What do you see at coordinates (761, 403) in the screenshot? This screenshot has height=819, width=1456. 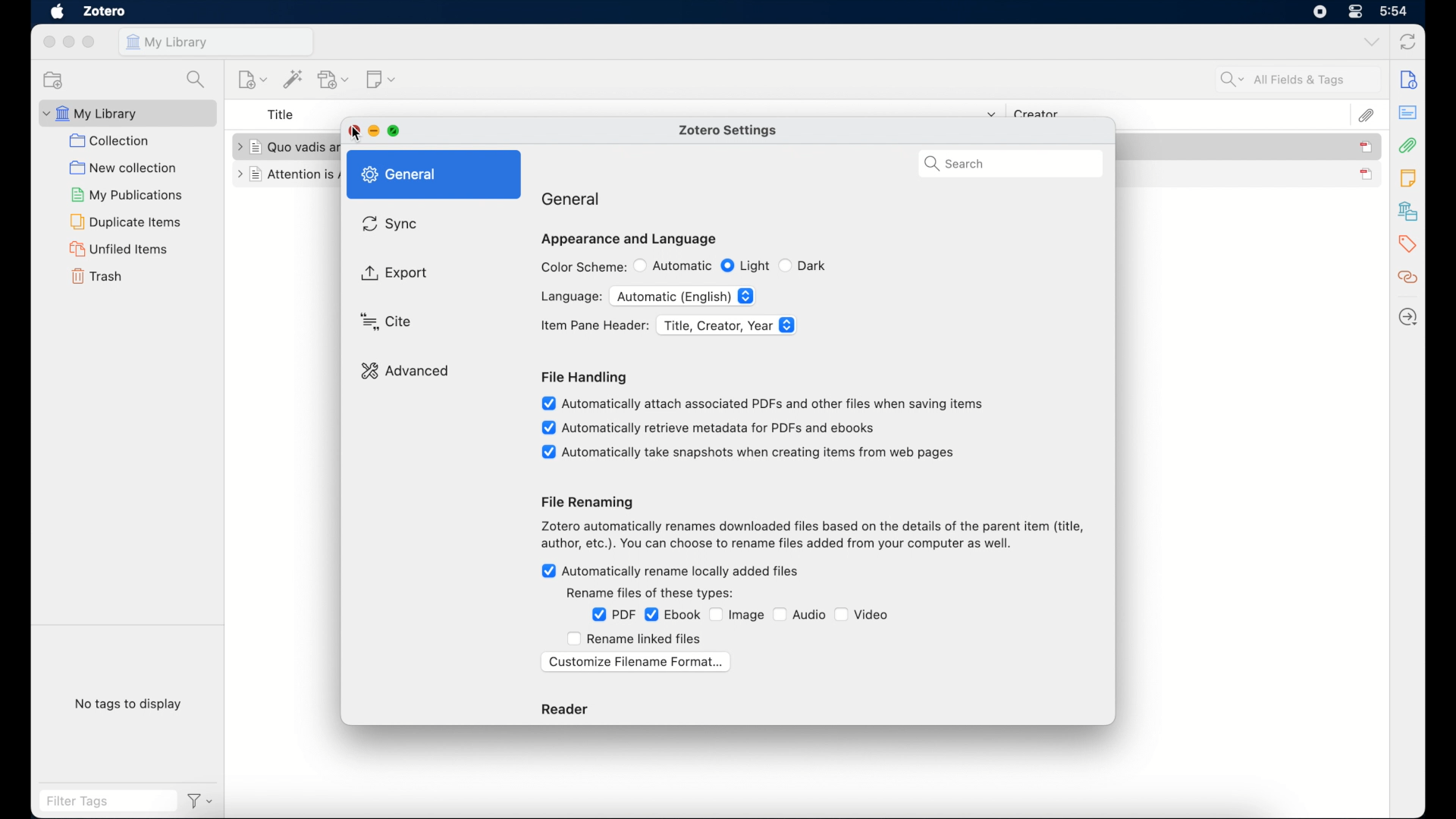 I see `automatically attach associated pdfs and other files when saving items` at bounding box center [761, 403].